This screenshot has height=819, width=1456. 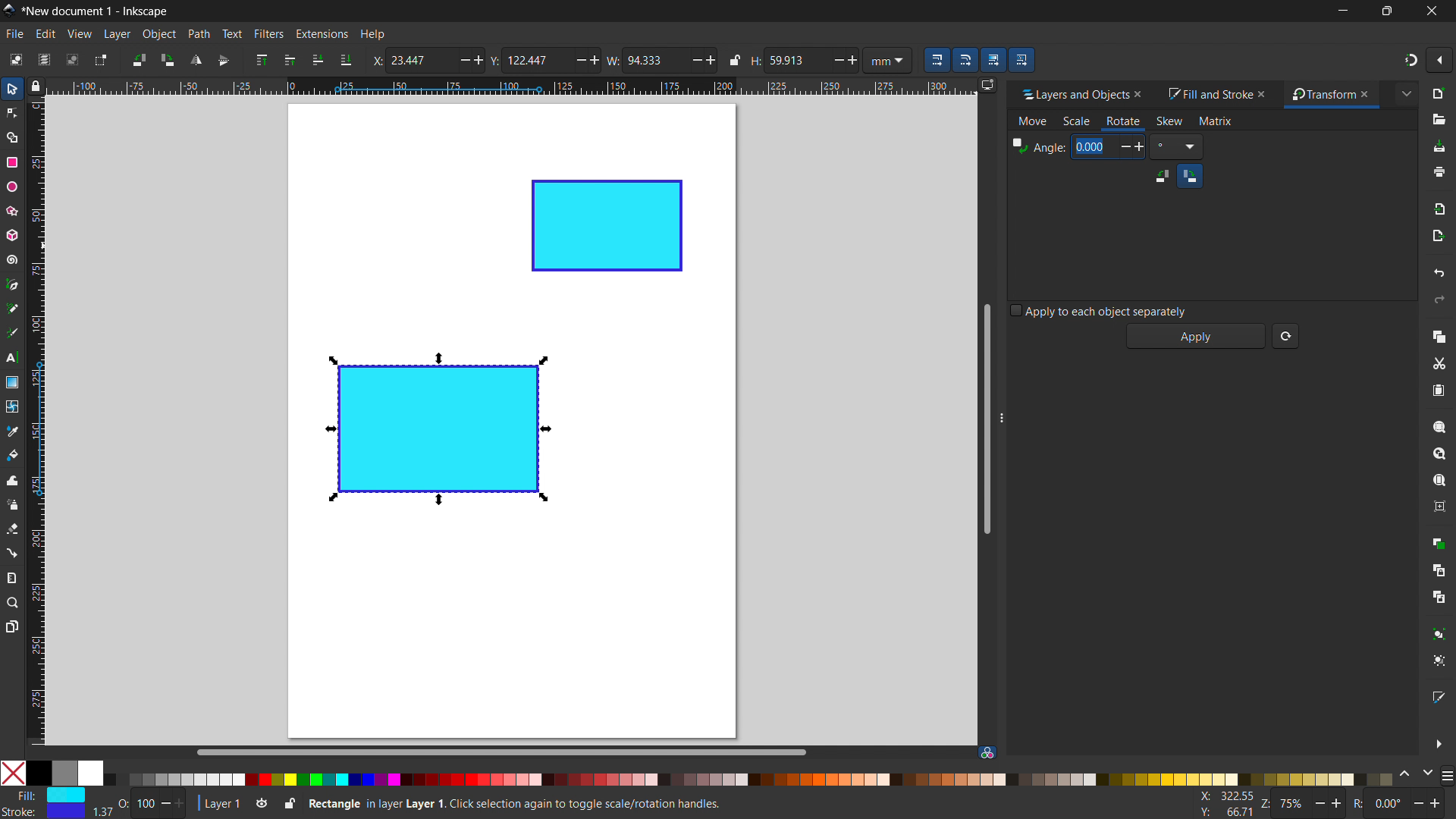 I want to click on connector tool, so click(x=11, y=552).